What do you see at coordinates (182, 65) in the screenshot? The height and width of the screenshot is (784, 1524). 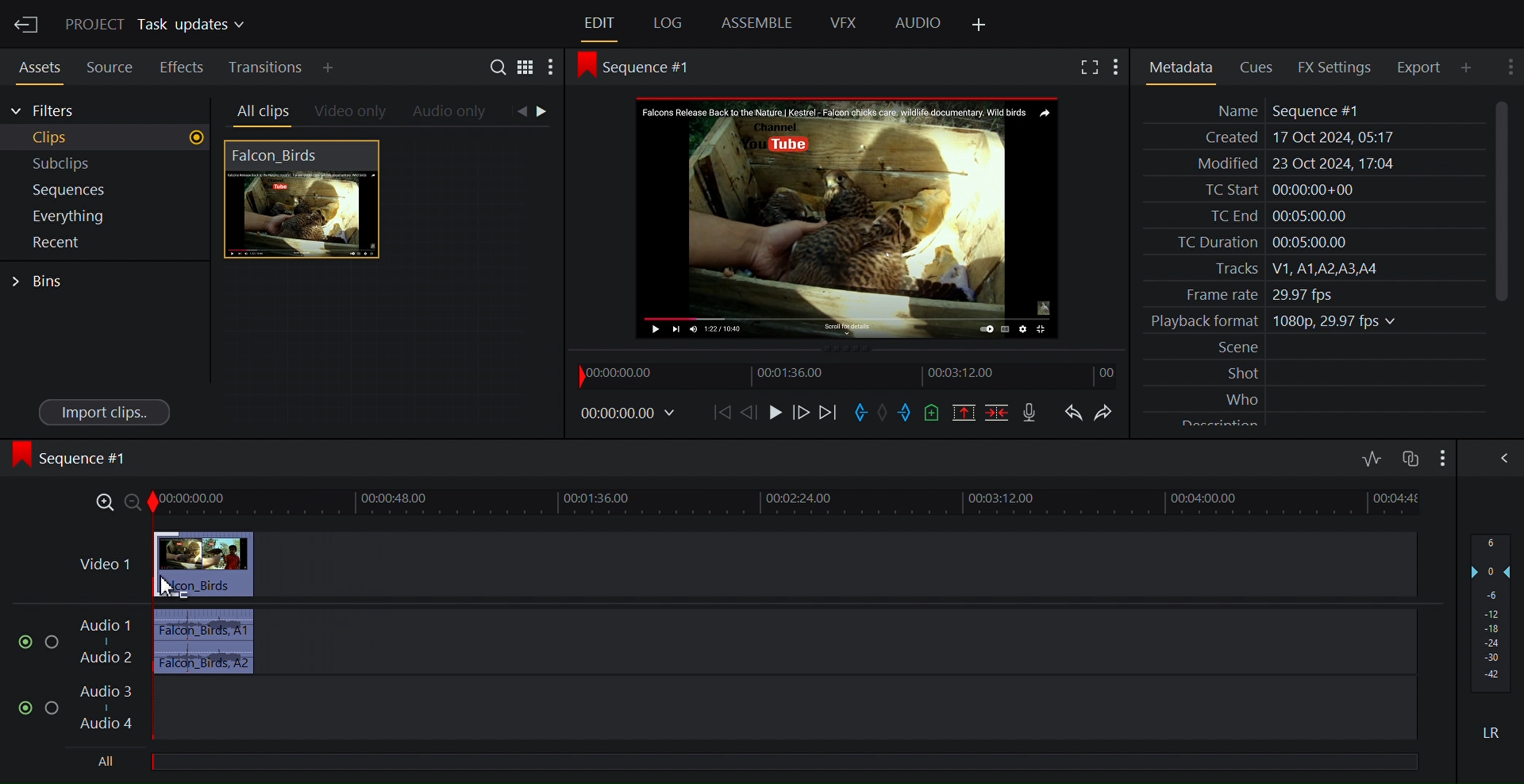 I see `Effects` at bounding box center [182, 65].